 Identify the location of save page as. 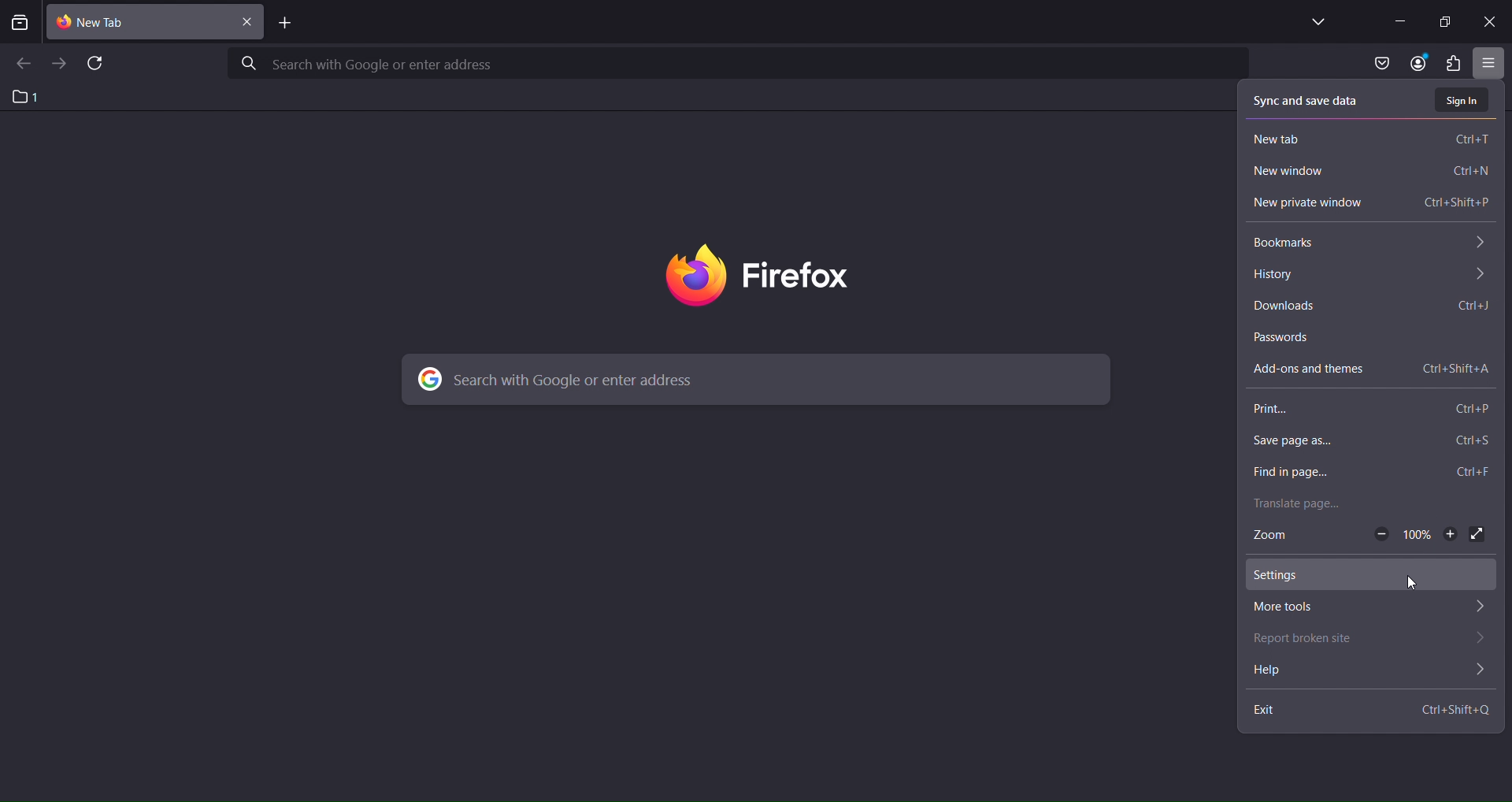
(1376, 441).